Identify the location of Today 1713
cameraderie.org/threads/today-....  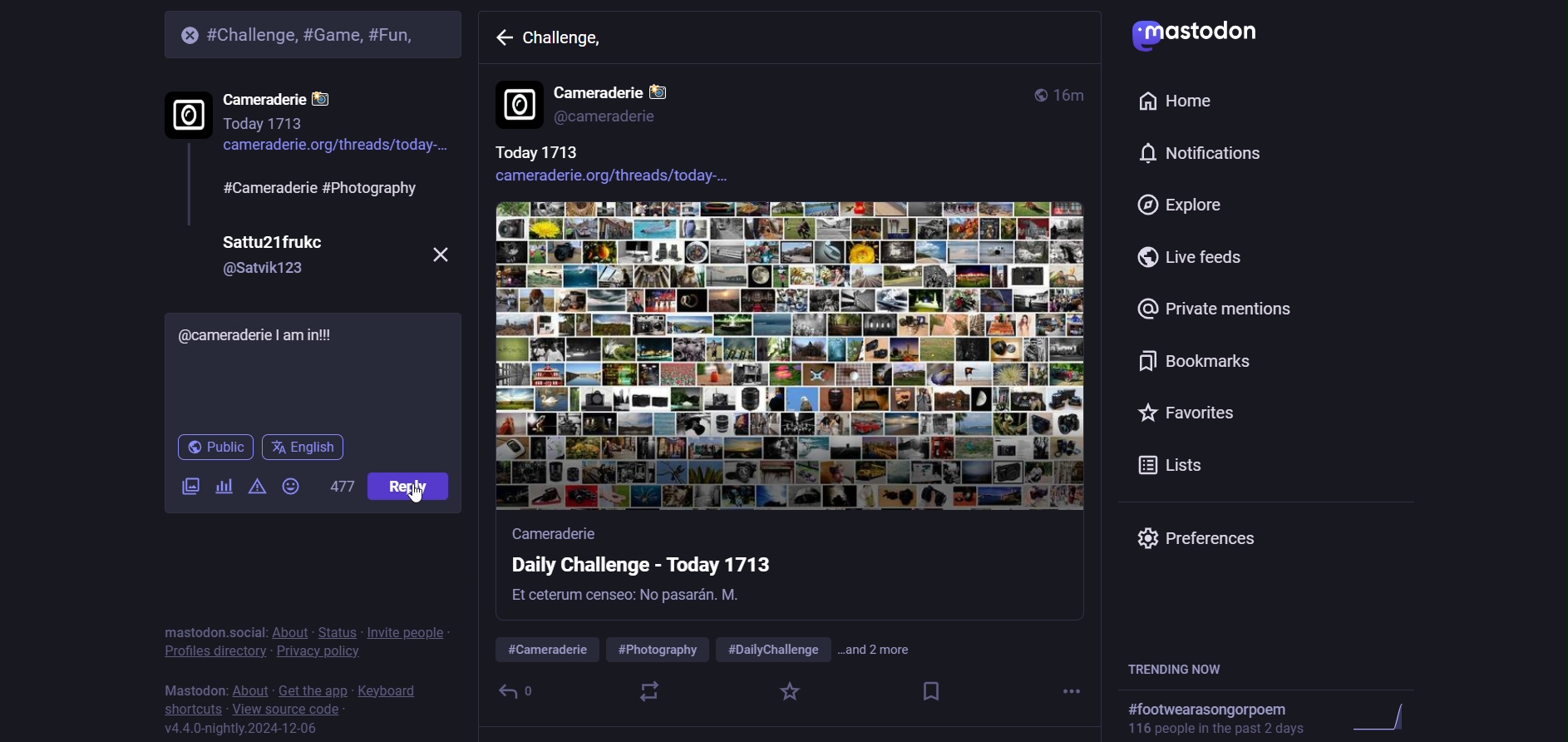
(629, 164).